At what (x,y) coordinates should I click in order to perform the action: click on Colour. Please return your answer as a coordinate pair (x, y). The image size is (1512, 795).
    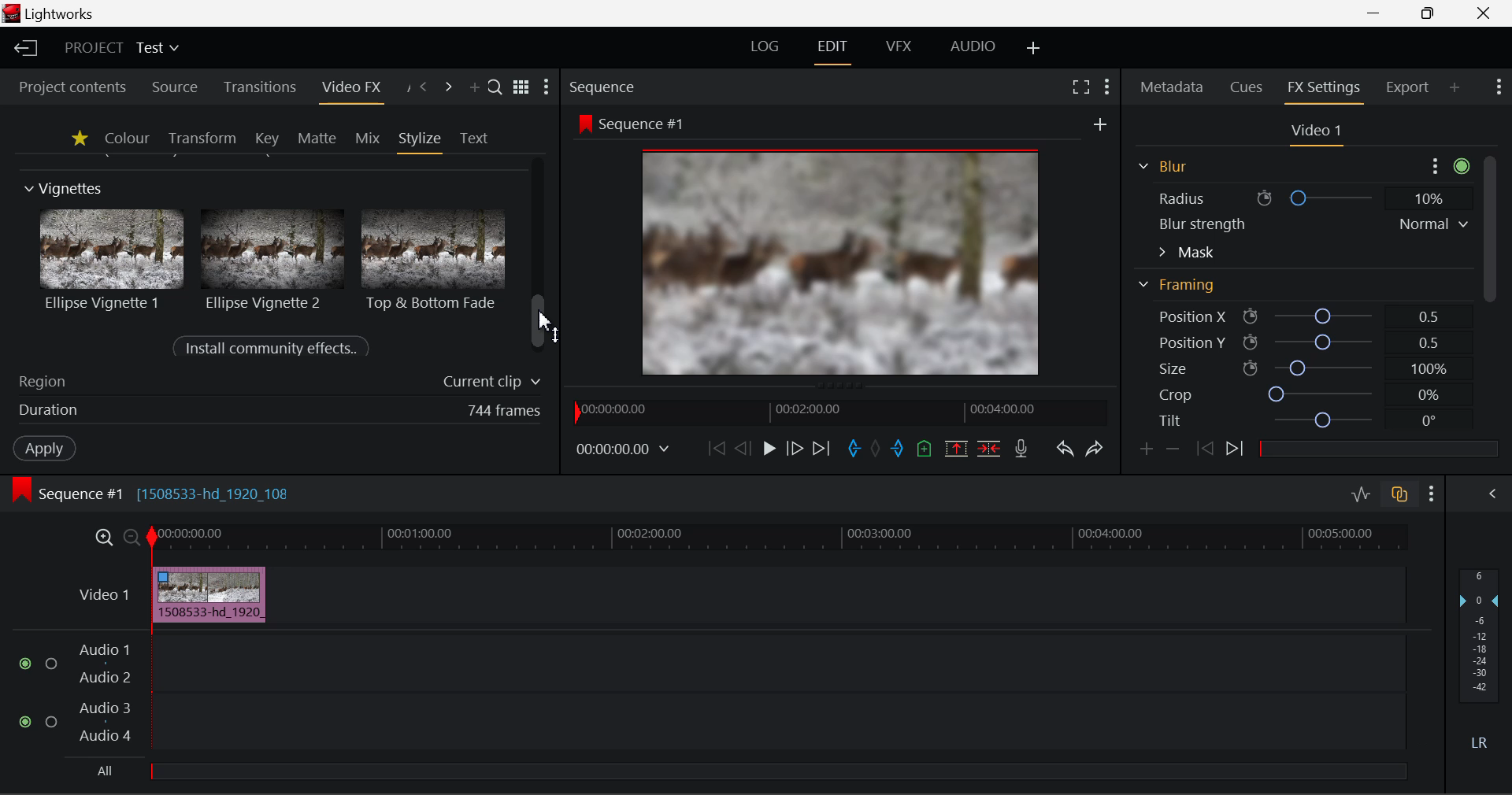
    Looking at the image, I should click on (126, 138).